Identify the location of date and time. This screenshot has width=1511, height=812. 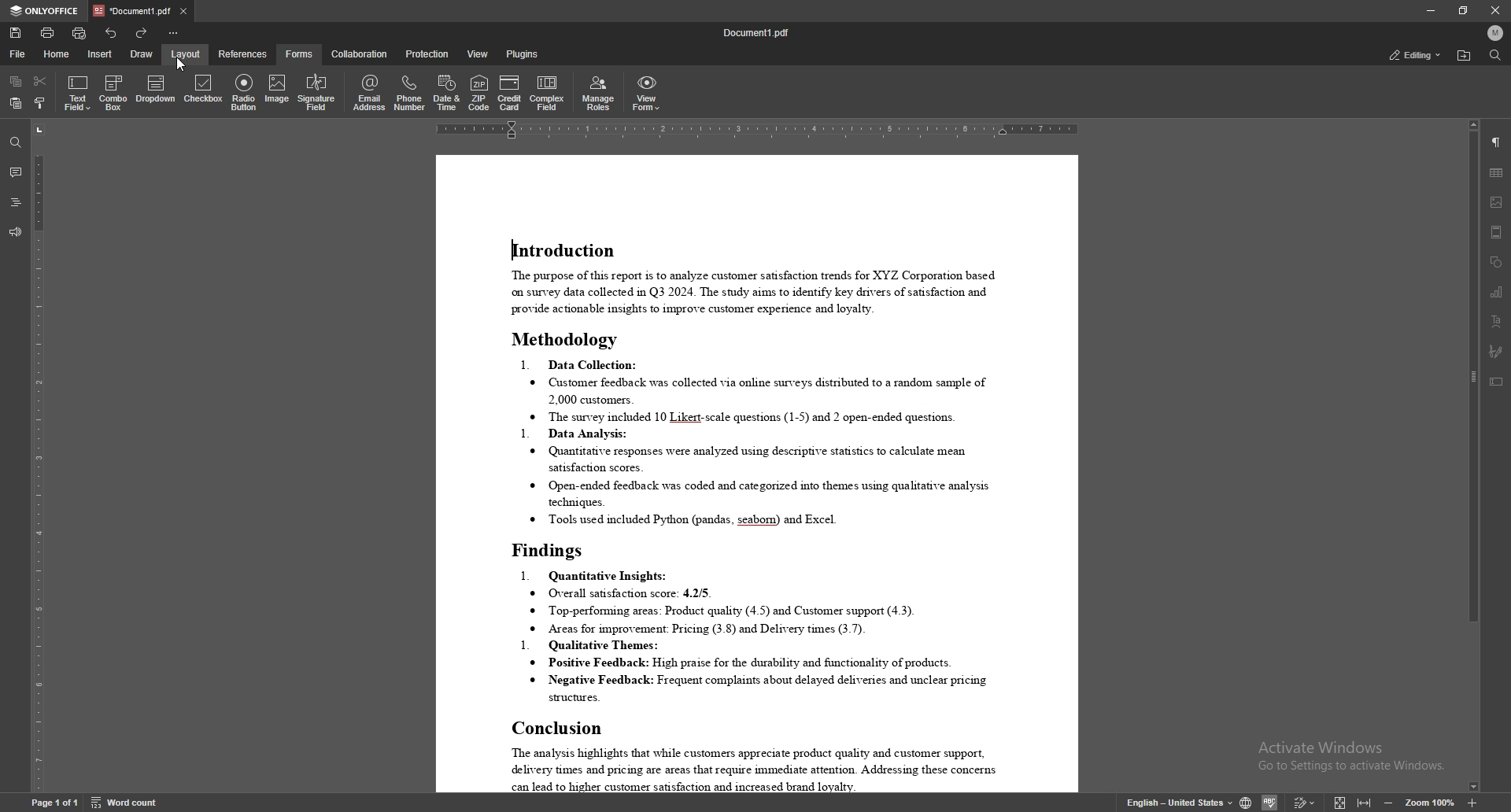
(446, 91).